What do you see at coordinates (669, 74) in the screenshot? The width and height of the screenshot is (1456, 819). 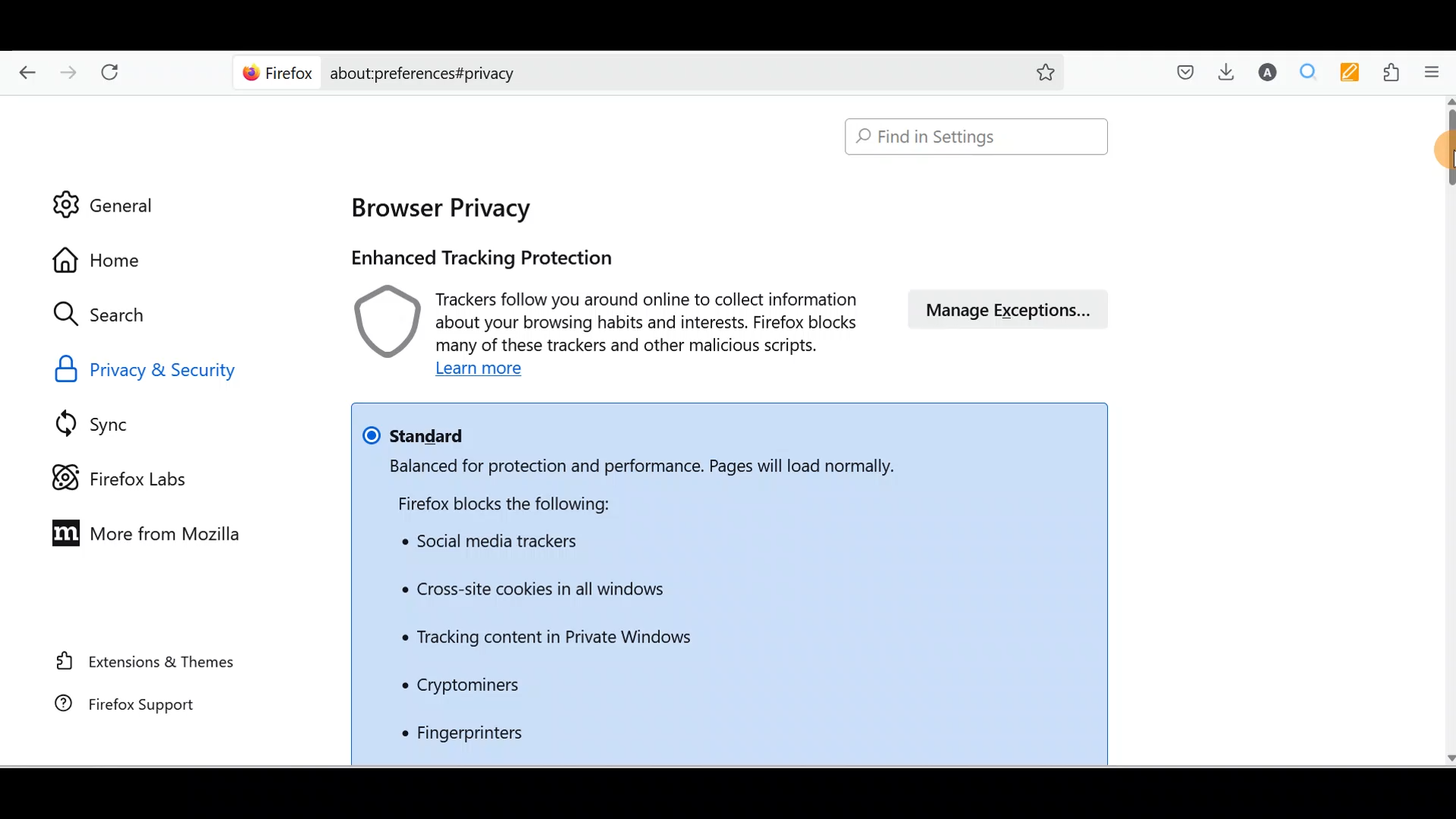 I see ` about:preferences#privacy` at bounding box center [669, 74].